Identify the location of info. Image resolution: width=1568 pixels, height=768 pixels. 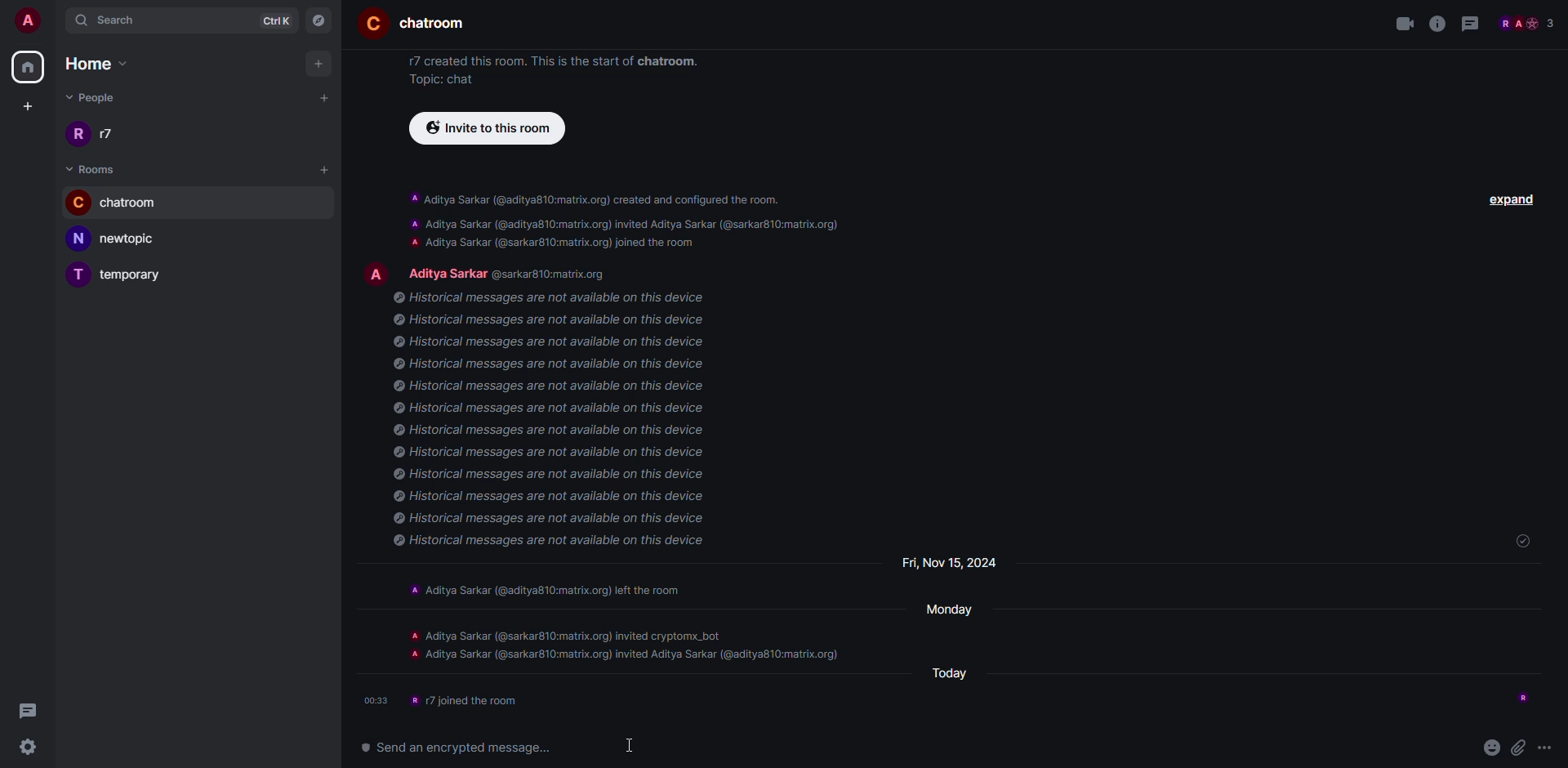
(475, 700).